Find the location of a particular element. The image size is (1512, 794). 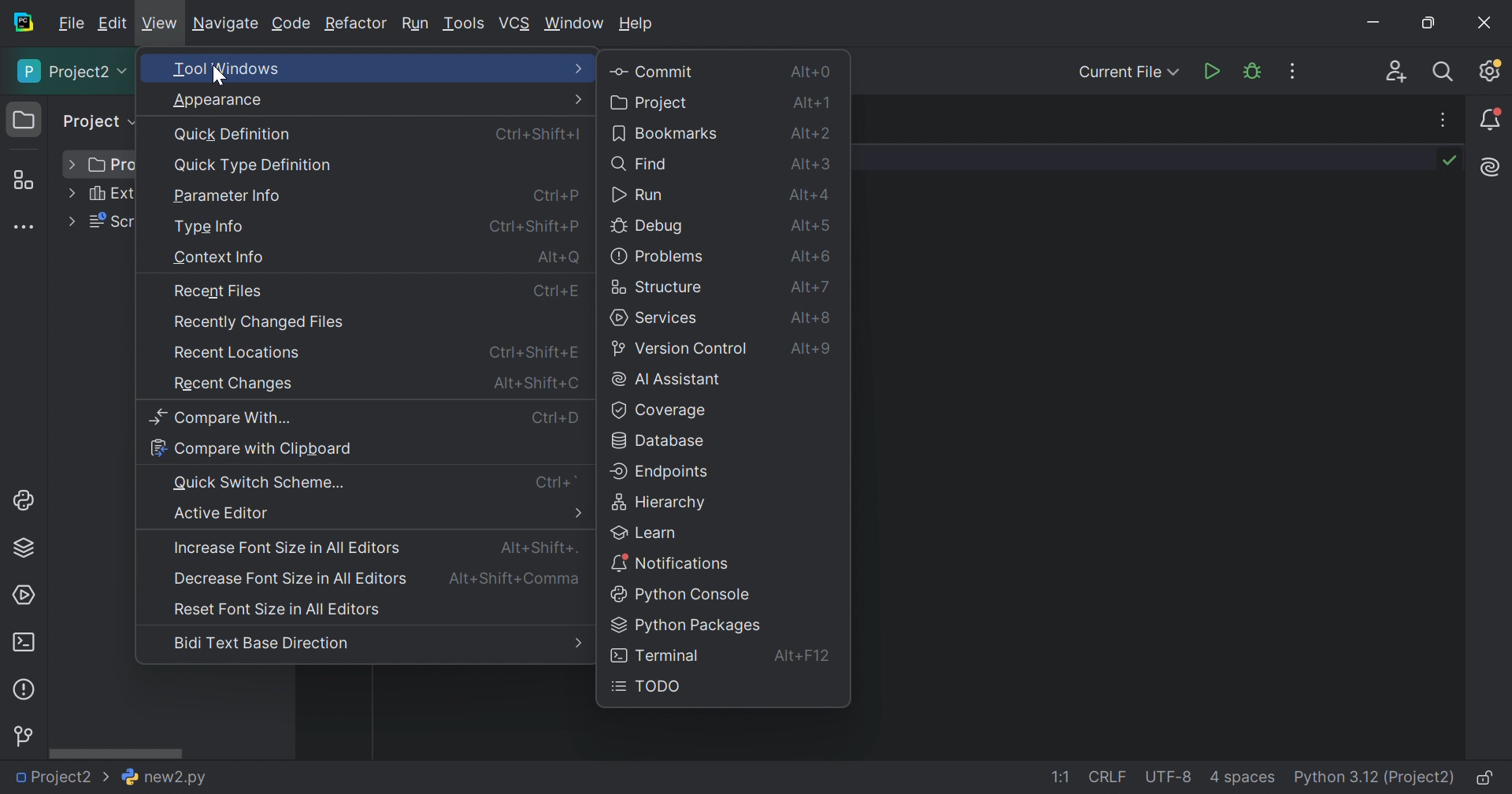

Context info is located at coordinates (217, 258).